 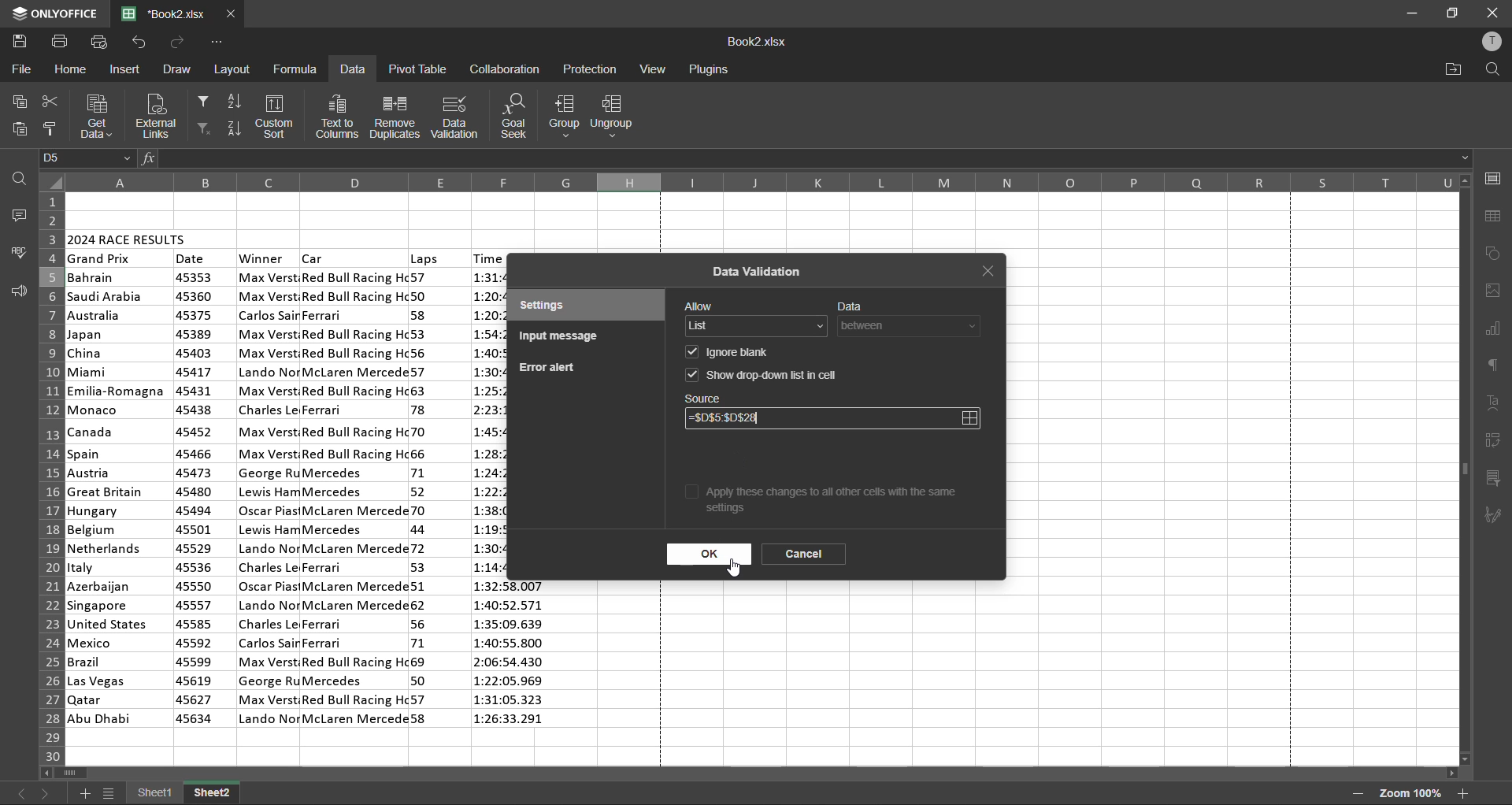 What do you see at coordinates (487, 258) in the screenshot?
I see `time` at bounding box center [487, 258].